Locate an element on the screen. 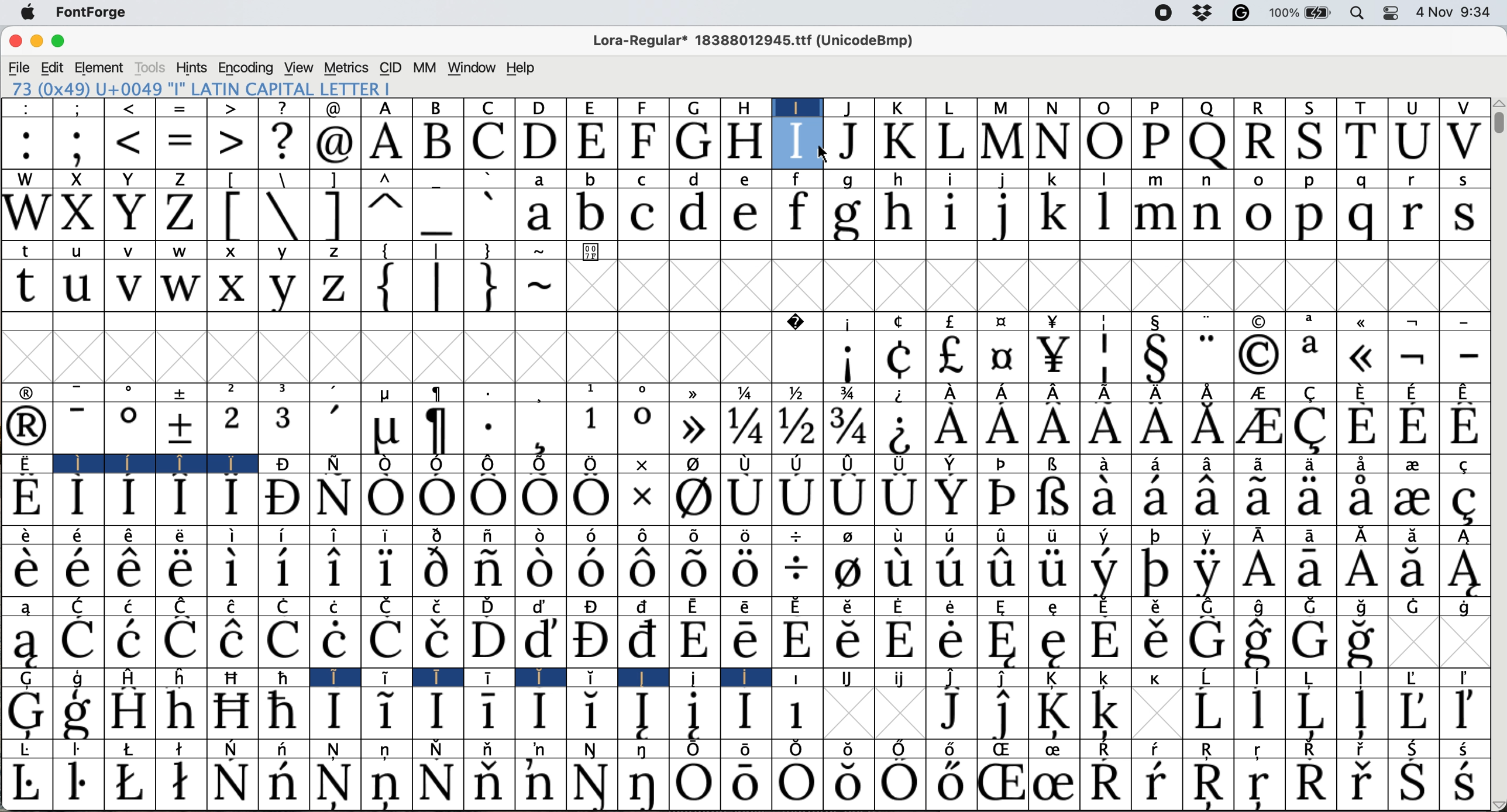  R is located at coordinates (1261, 143).